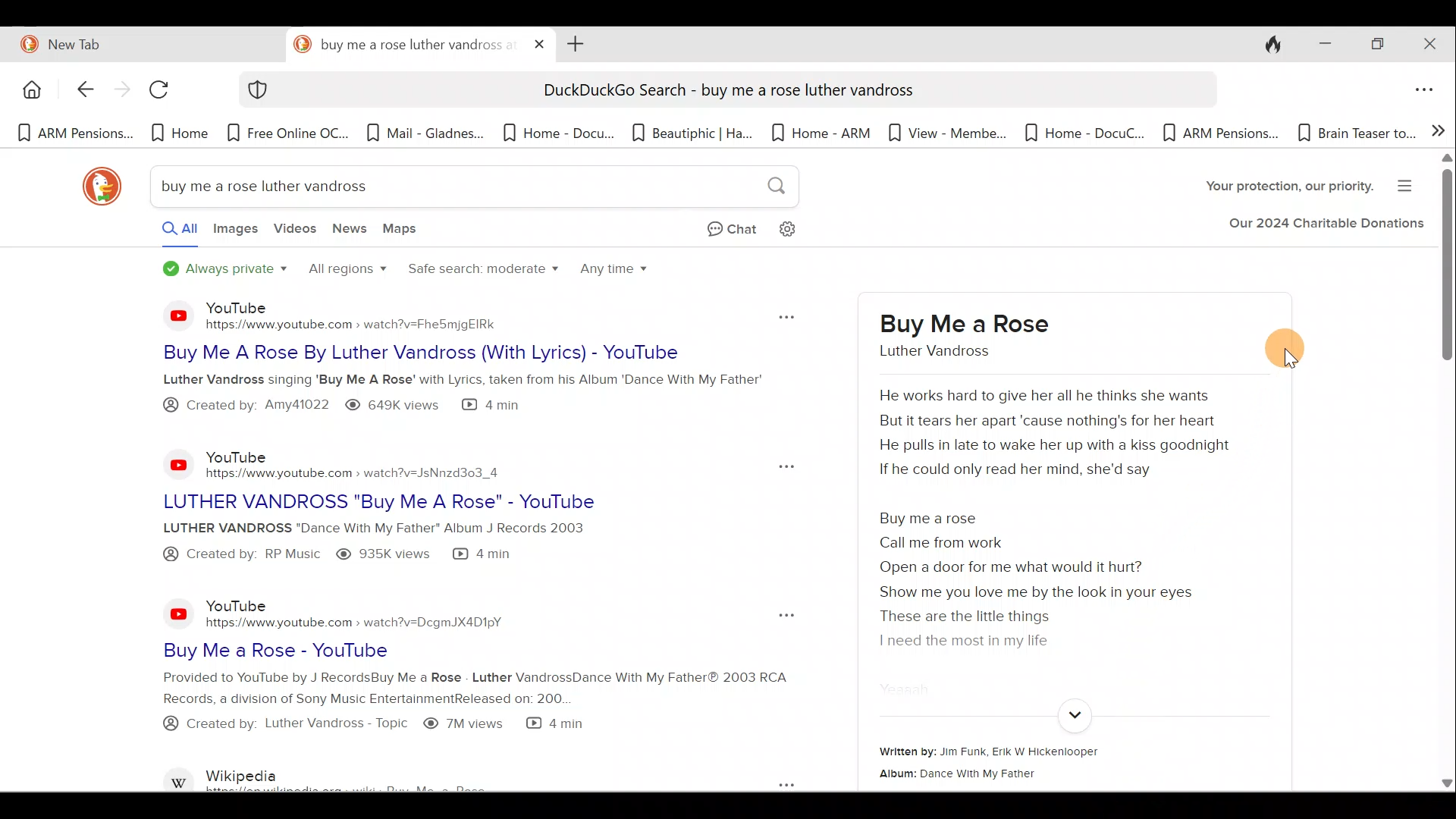  I want to click on buy me a rose luther vandross, so click(403, 45).